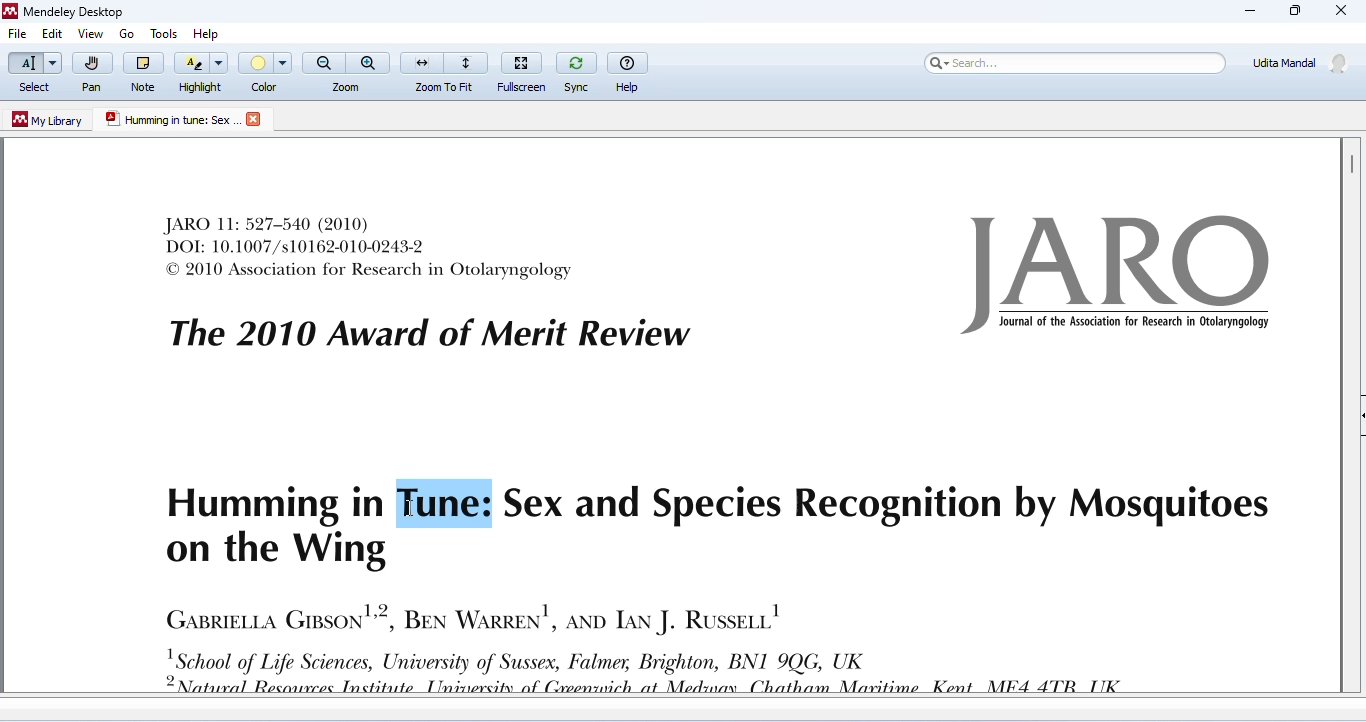  What do you see at coordinates (1293, 11) in the screenshot?
I see `maximize` at bounding box center [1293, 11].